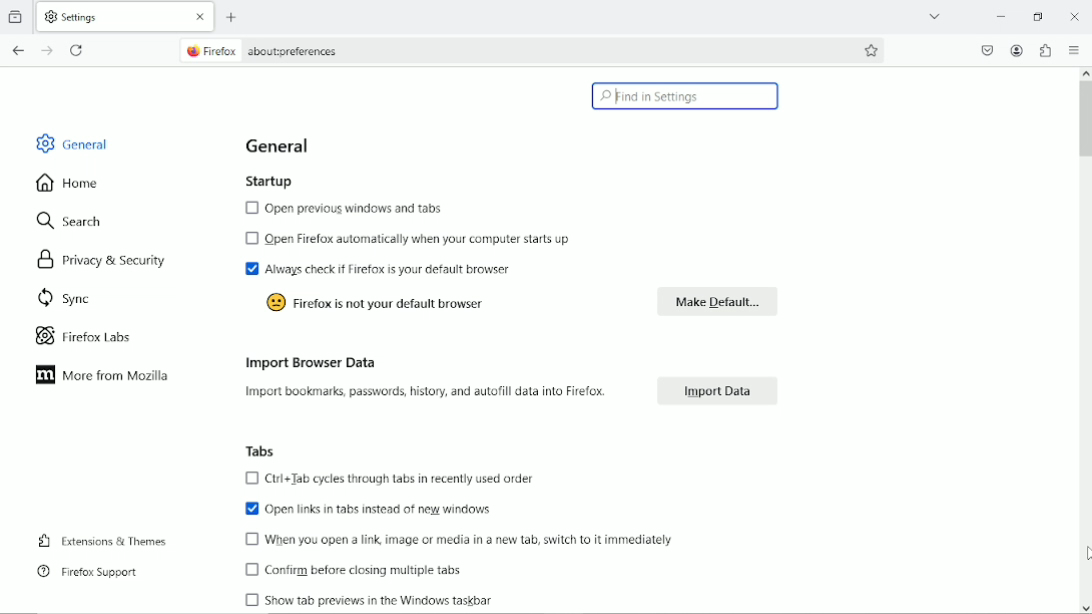  What do you see at coordinates (98, 336) in the screenshot?
I see `Firefox labs` at bounding box center [98, 336].